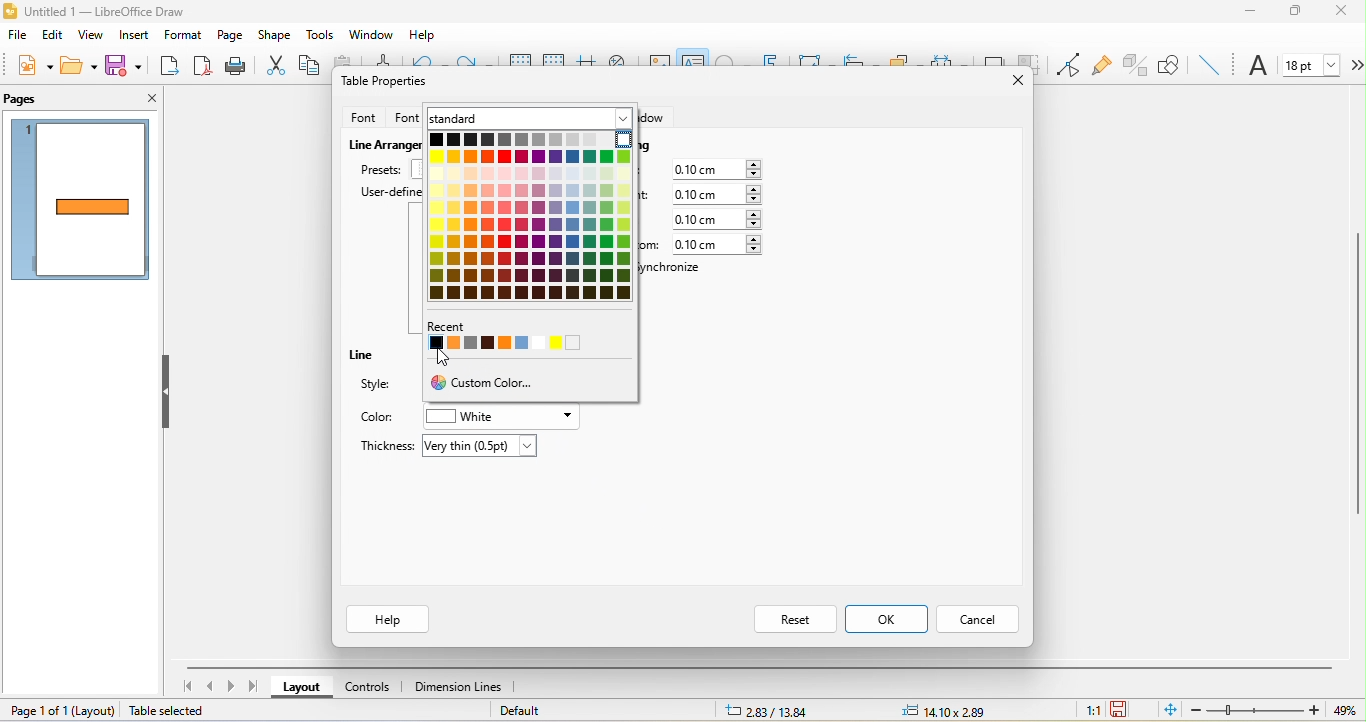  What do you see at coordinates (1313, 65) in the screenshot?
I see `font size` at bounding box center [1313, 65].